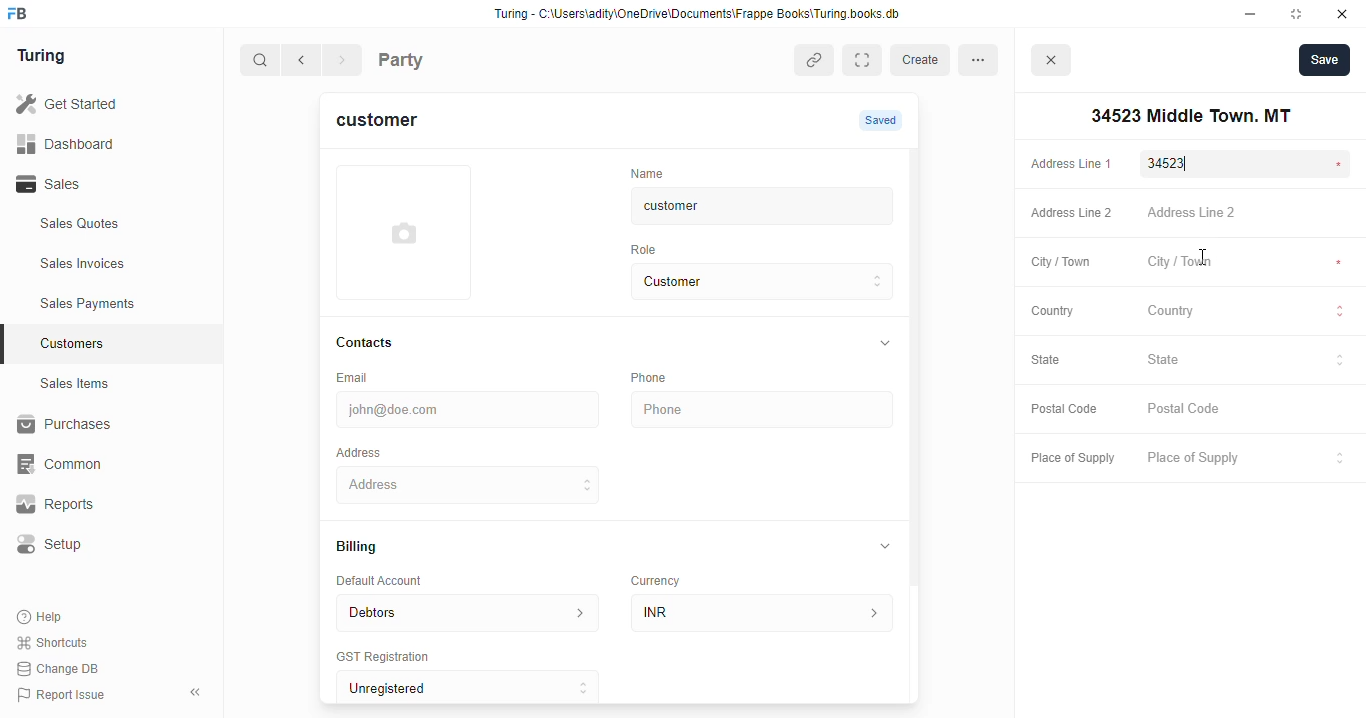 Image resolution: width=1366 pixels, height=718 pixels. Describe the element at coordinates (1248, 313) in the screenshot. I see `Country` at that location.